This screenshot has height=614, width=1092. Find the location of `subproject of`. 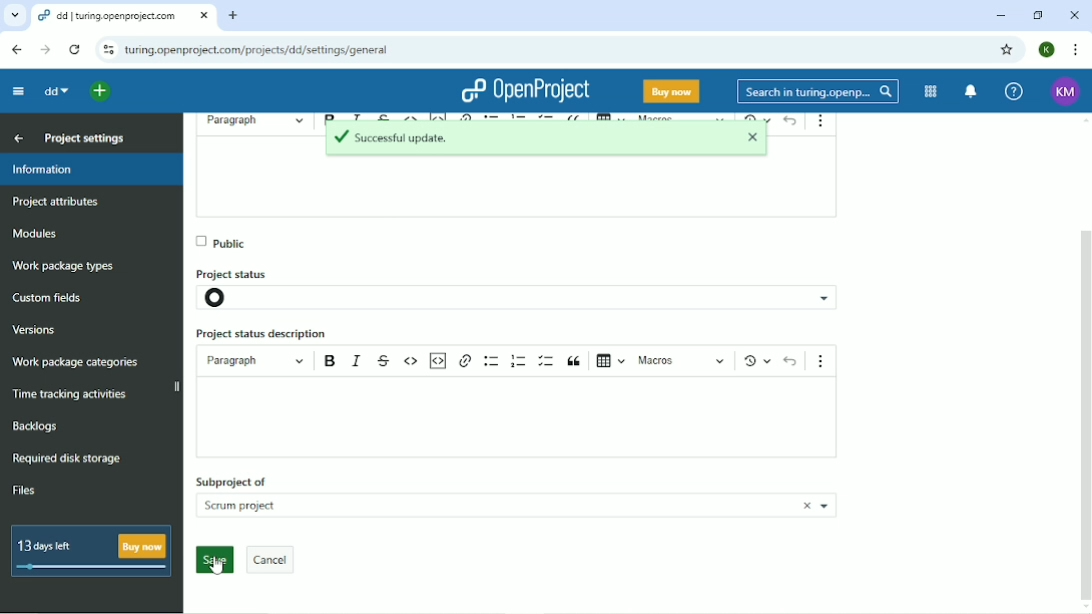

subproject of is located at coordinates (245, 481).